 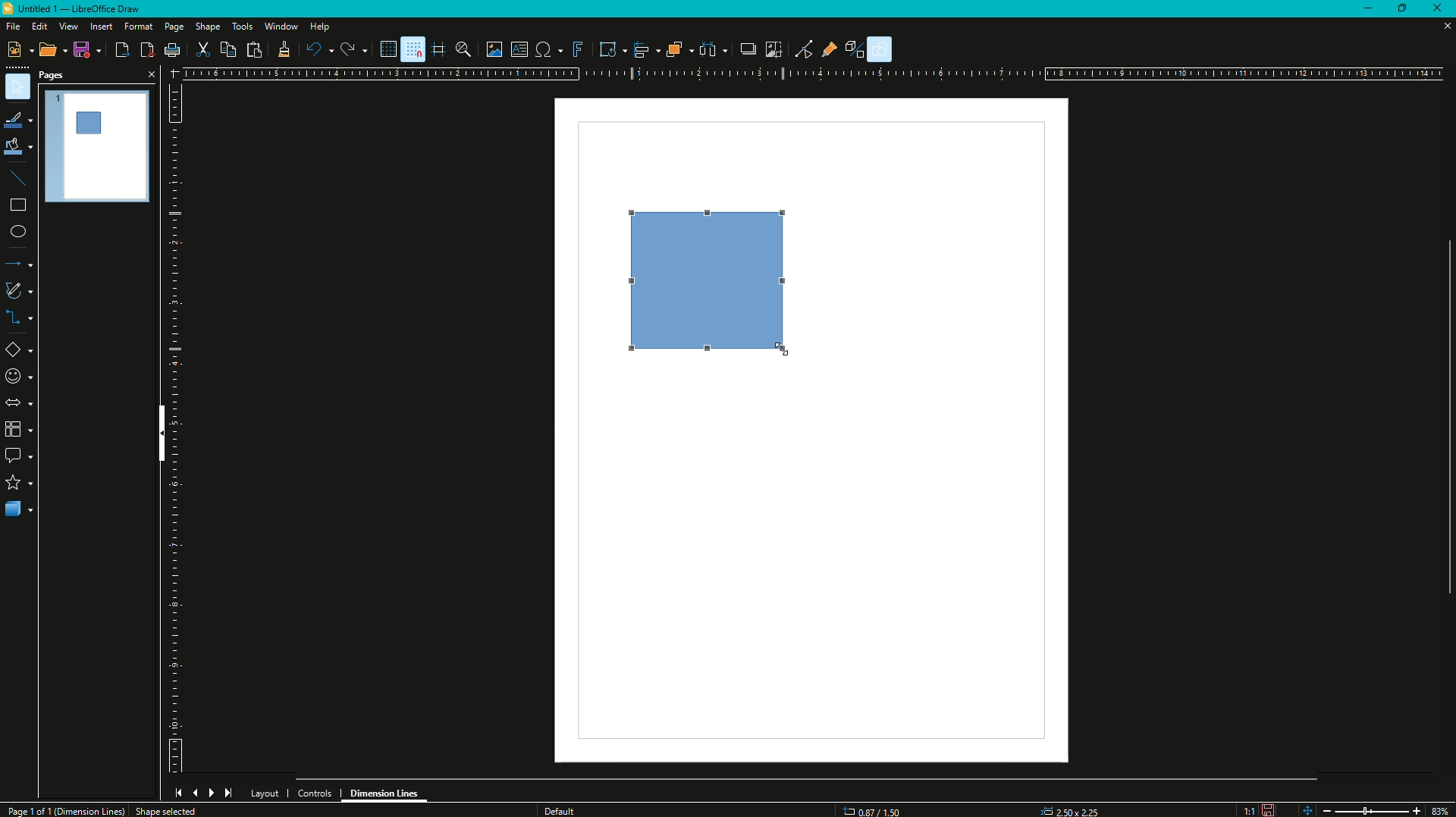 I want to click on Not saved, so click(x=1268, y=809).